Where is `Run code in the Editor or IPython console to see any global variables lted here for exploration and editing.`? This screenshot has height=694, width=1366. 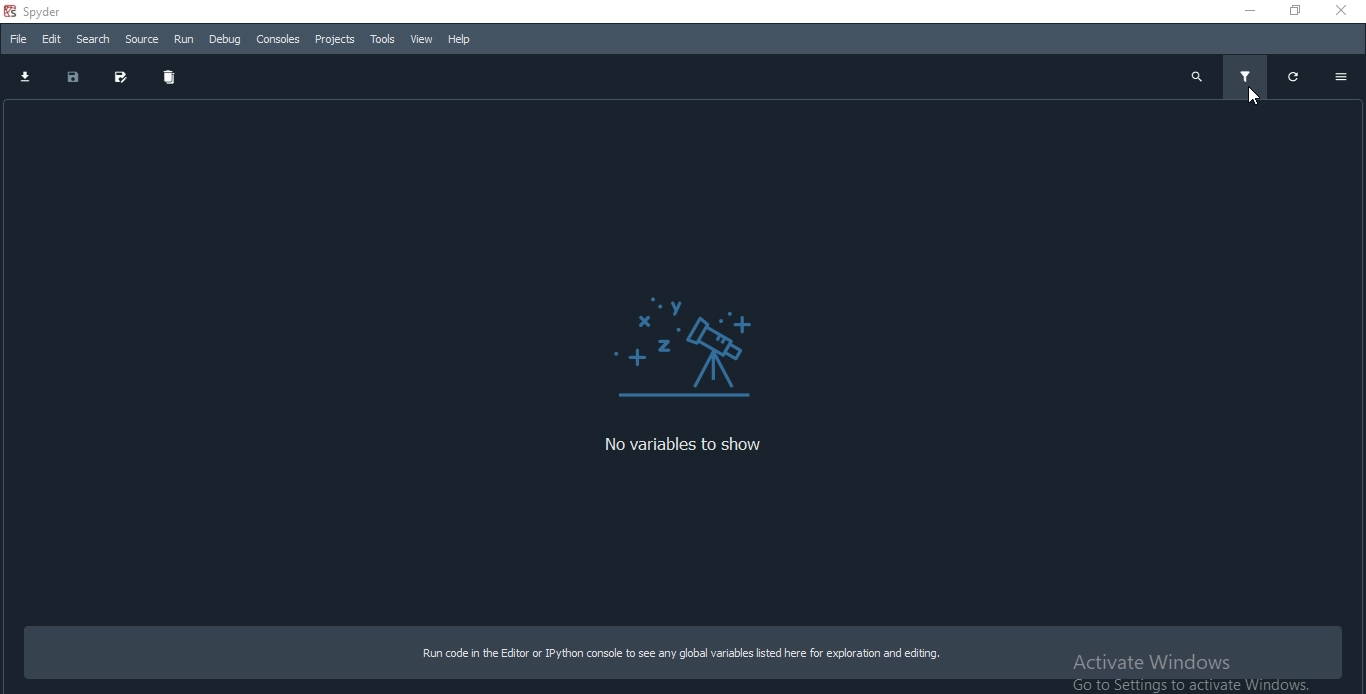
Run code in the Editor or IPython console to see any global variables lted here for exploration and editing. is located at coordinates (682, 654).